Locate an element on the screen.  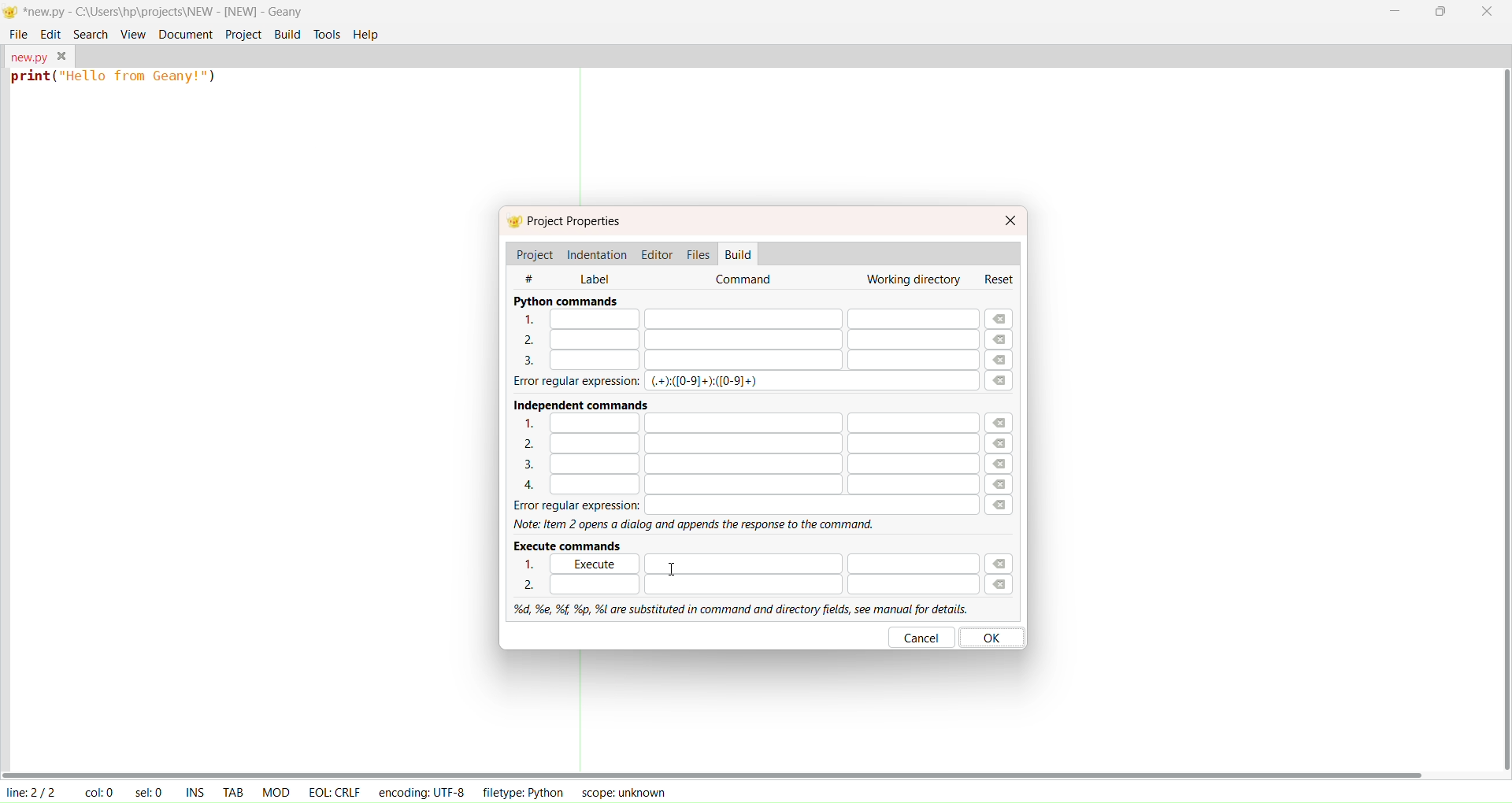
INS is located at coordinates (195, 790).